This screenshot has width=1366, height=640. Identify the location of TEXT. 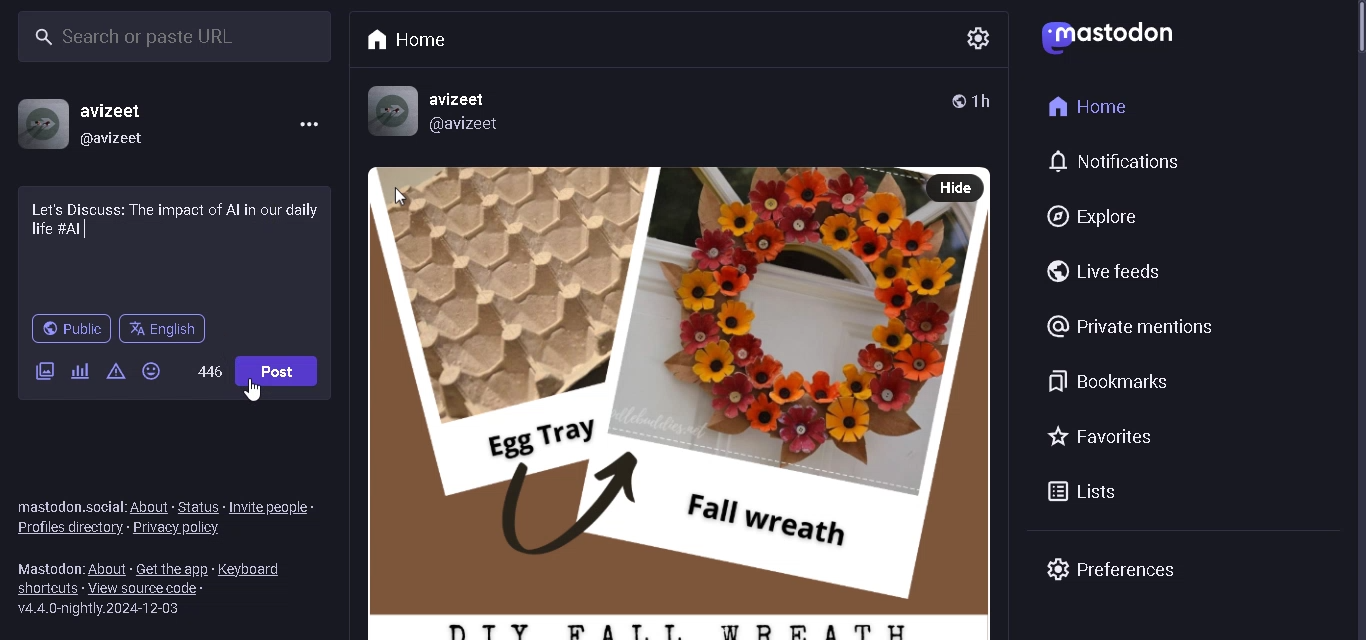
(49, 566).